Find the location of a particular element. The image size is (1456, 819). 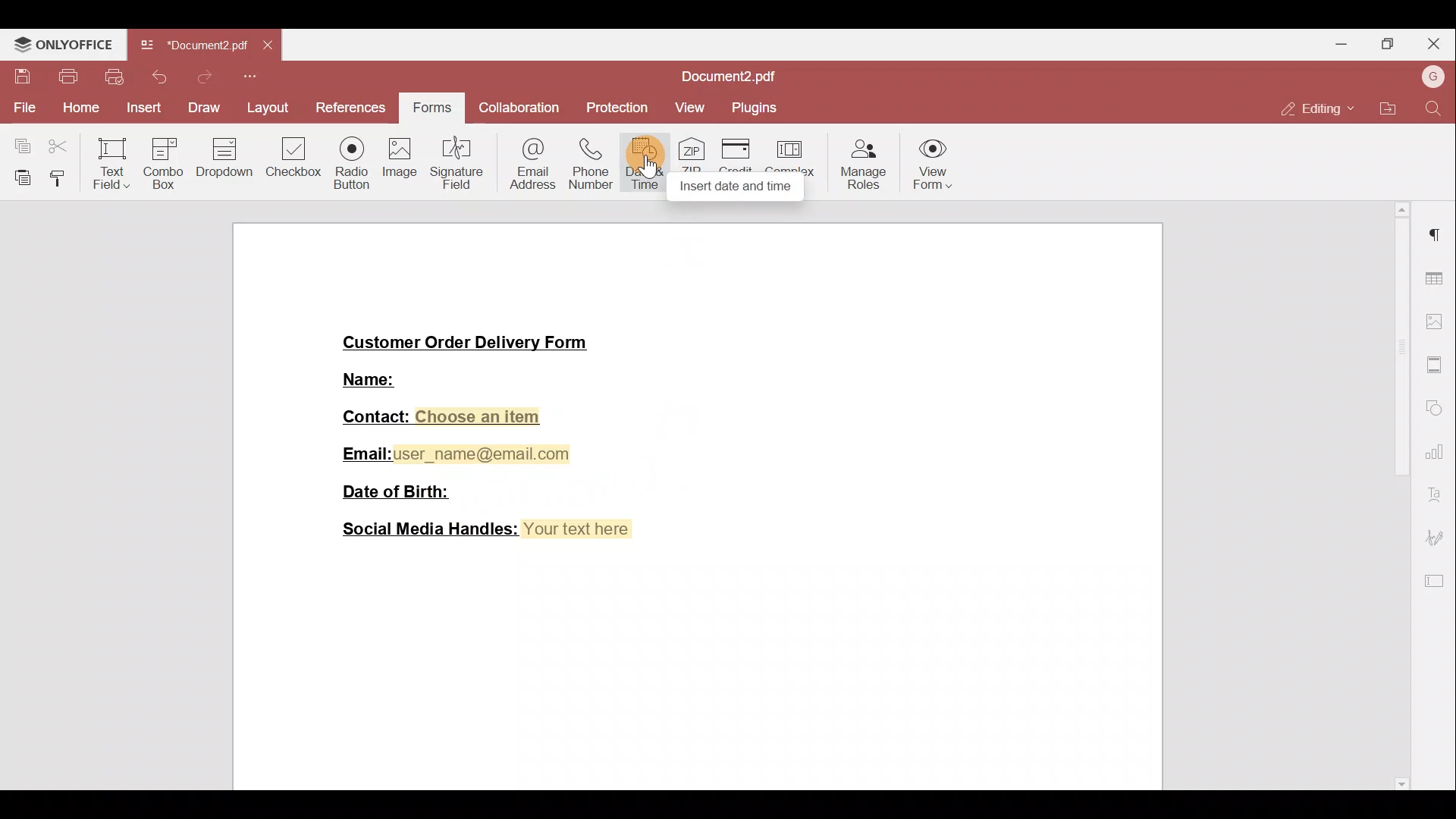

Undo is located at coordinates (157, 77).